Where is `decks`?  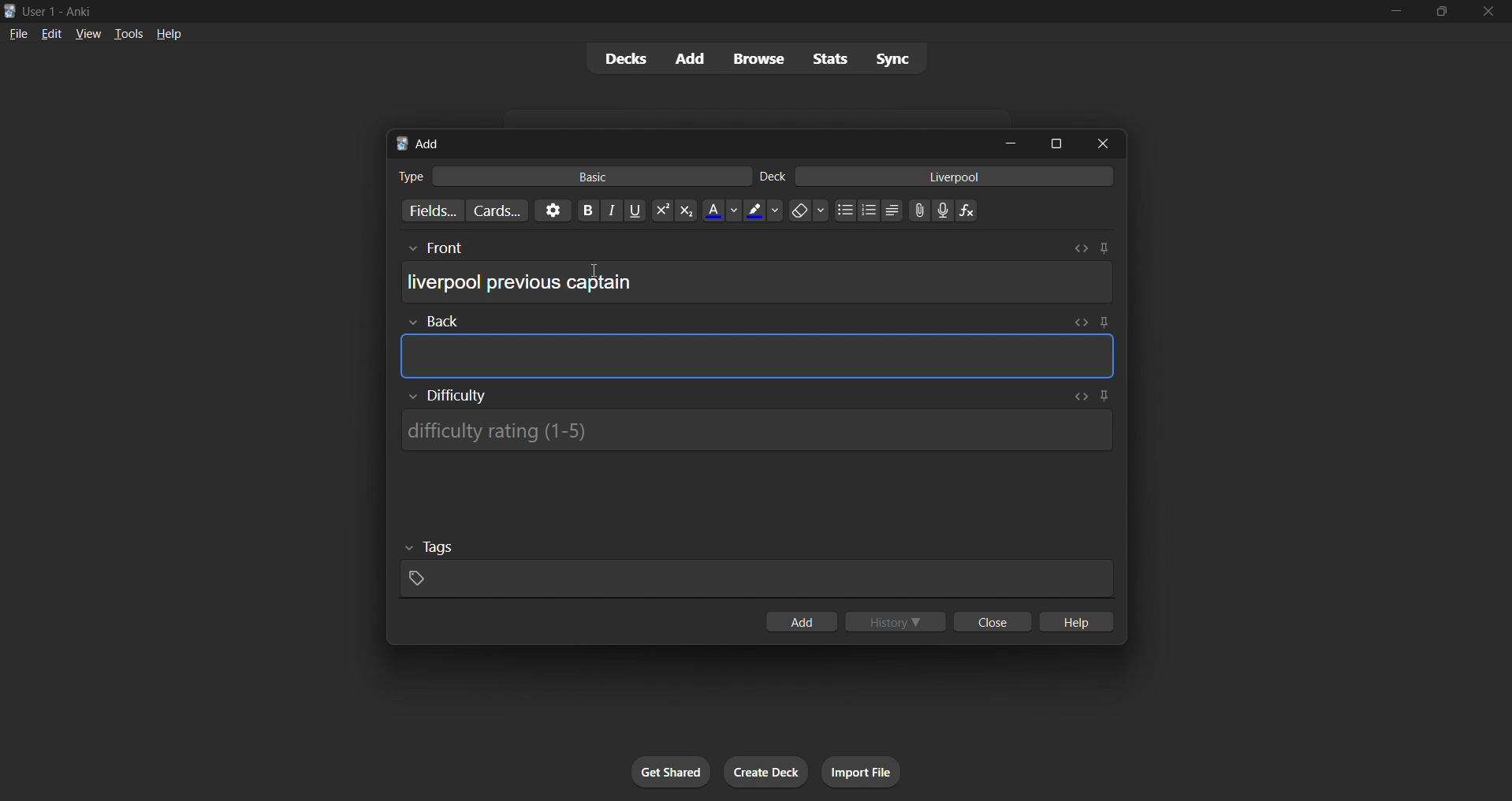
decks is located at coordinates (619, 61).